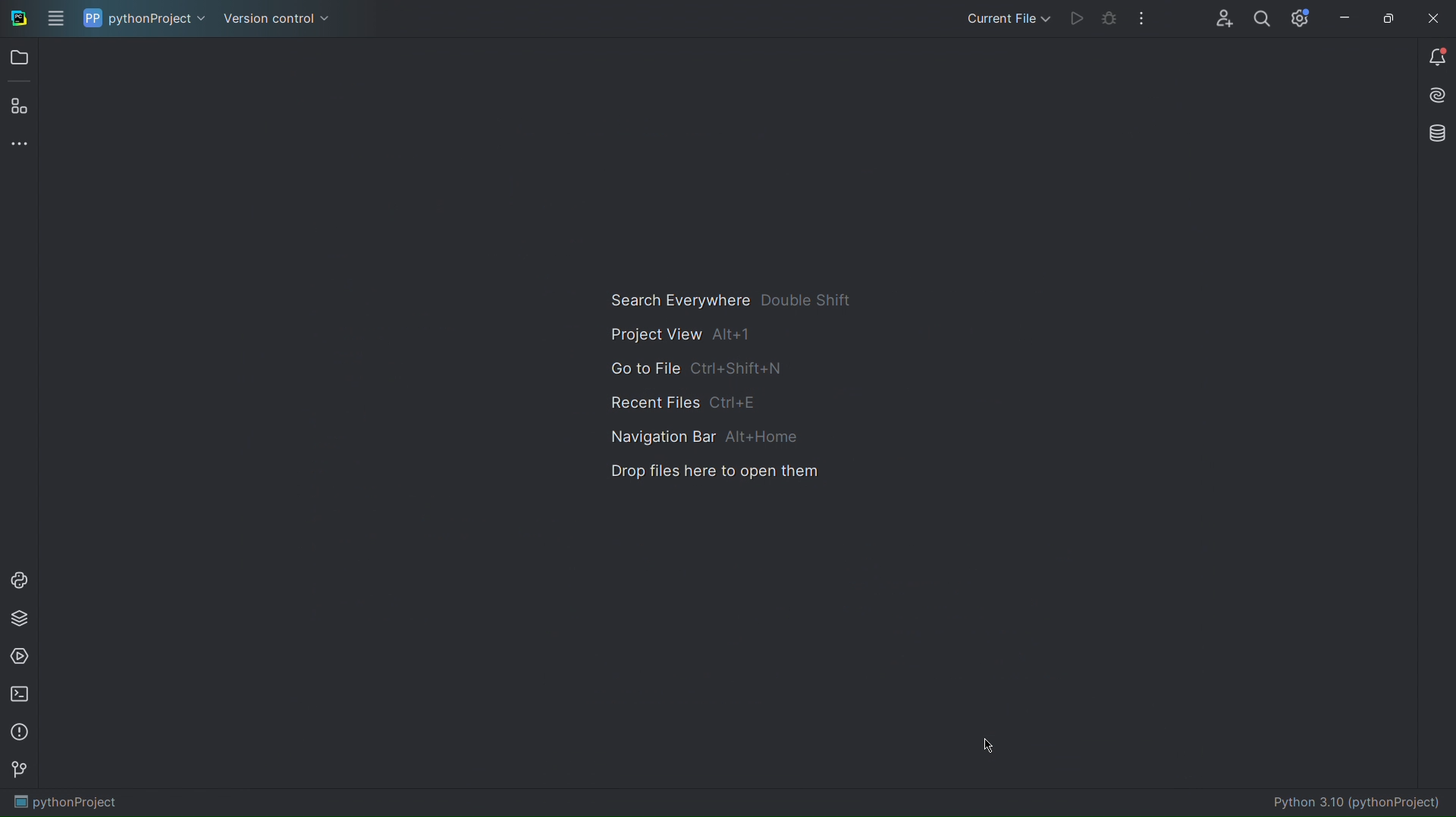 The image size is (1456, 817). What do you see at coordinates (730, 300) in the screenshot?
I see `Search Everywhere Double Shift` at bounding box center [730, 300].